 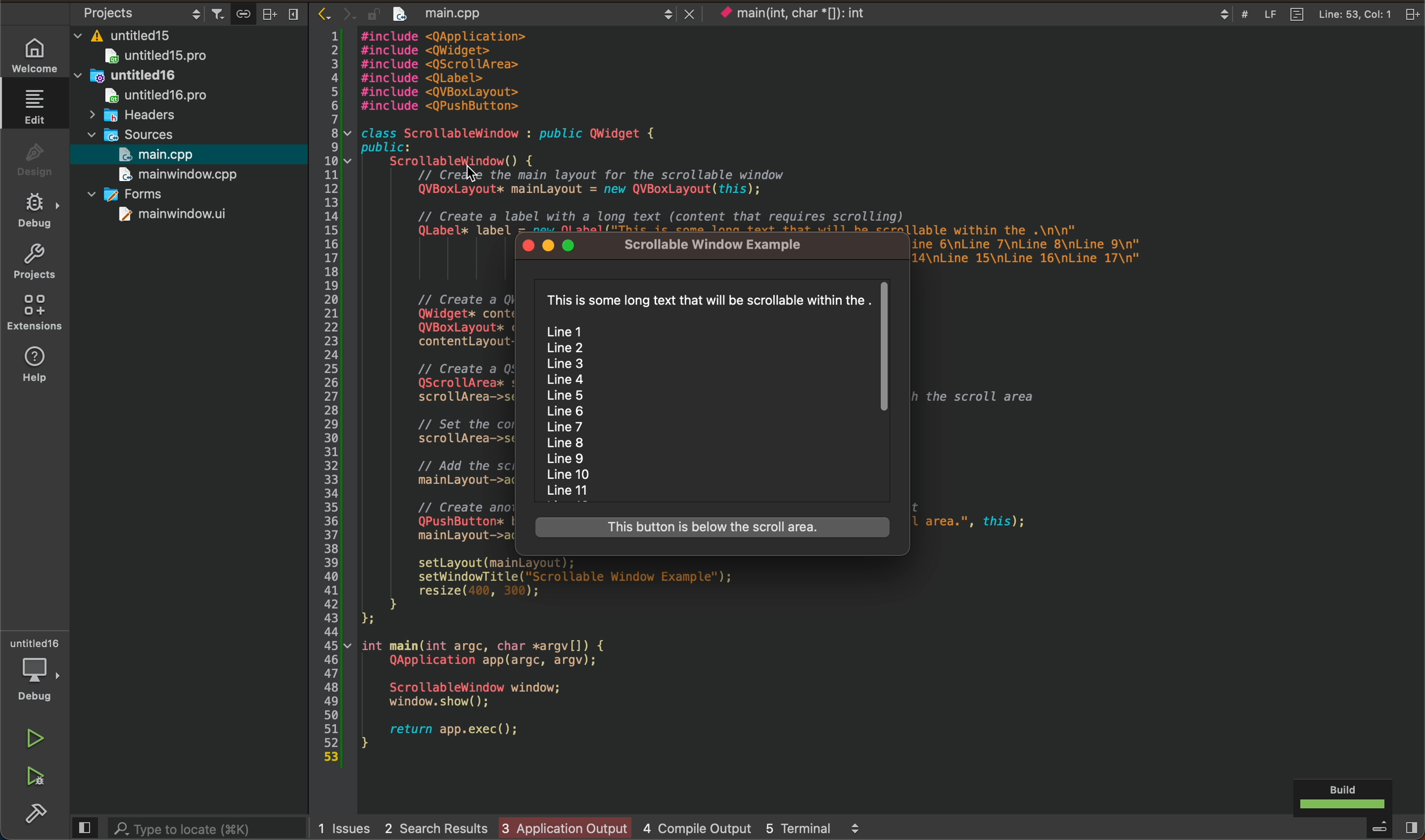 I want to click on after save, so click(x=504, y=12).